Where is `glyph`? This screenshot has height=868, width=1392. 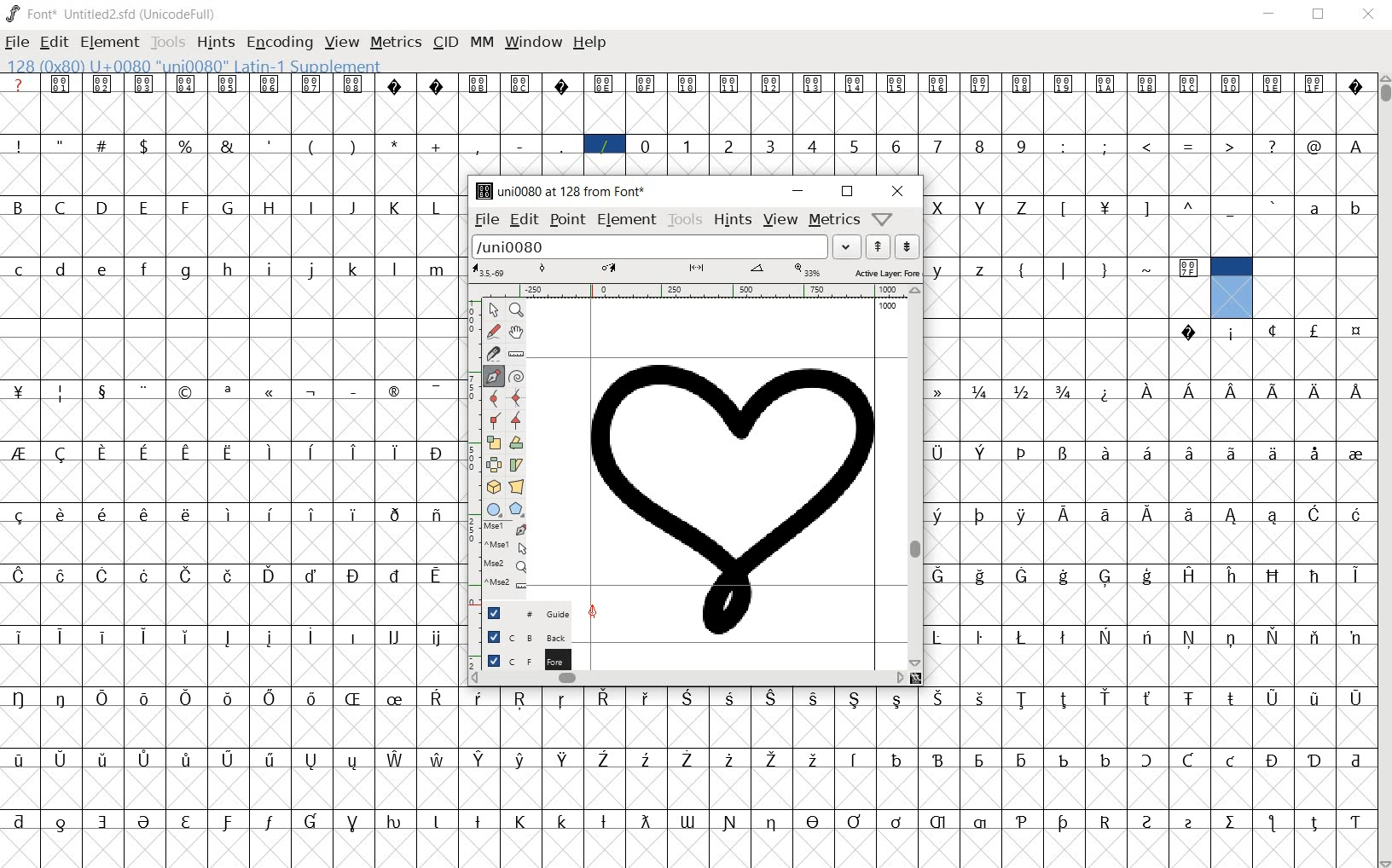 glyph is located at coordinates (1272, 146).